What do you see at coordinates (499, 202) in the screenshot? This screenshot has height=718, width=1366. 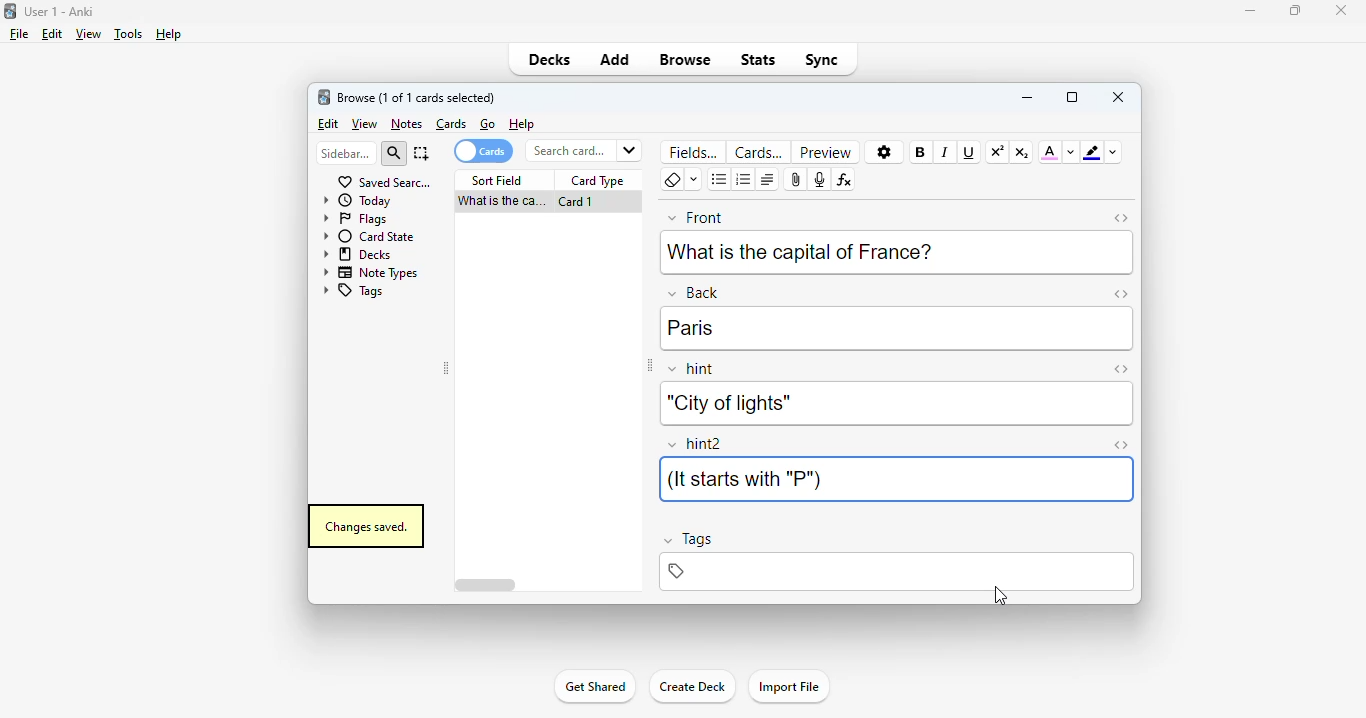 I see `what is the capital of France?` at bounding box center [499, 202].